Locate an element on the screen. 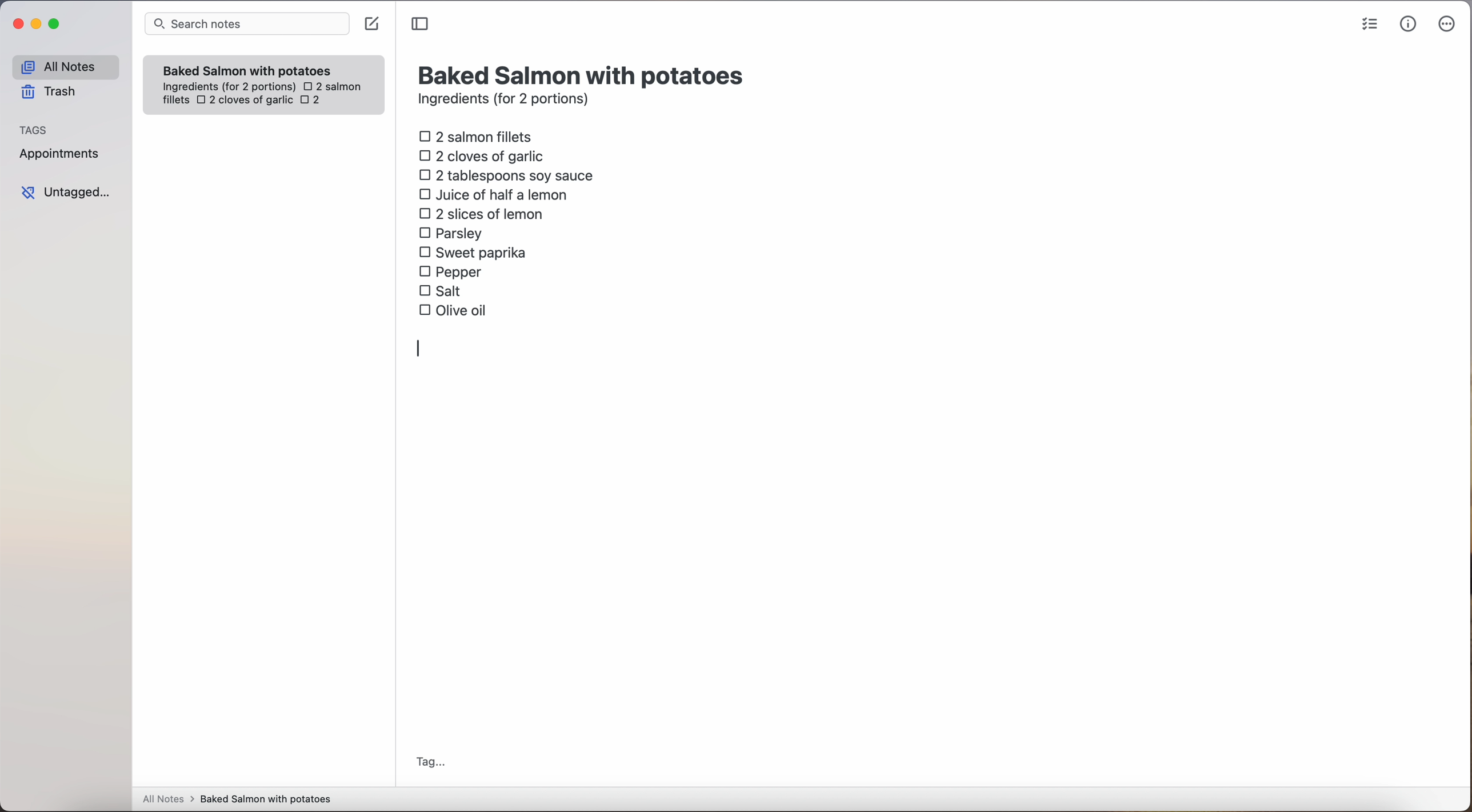 This screenshot has width=1472, height=812. 2 cloves of garlic is located at coordinates (245, 101).